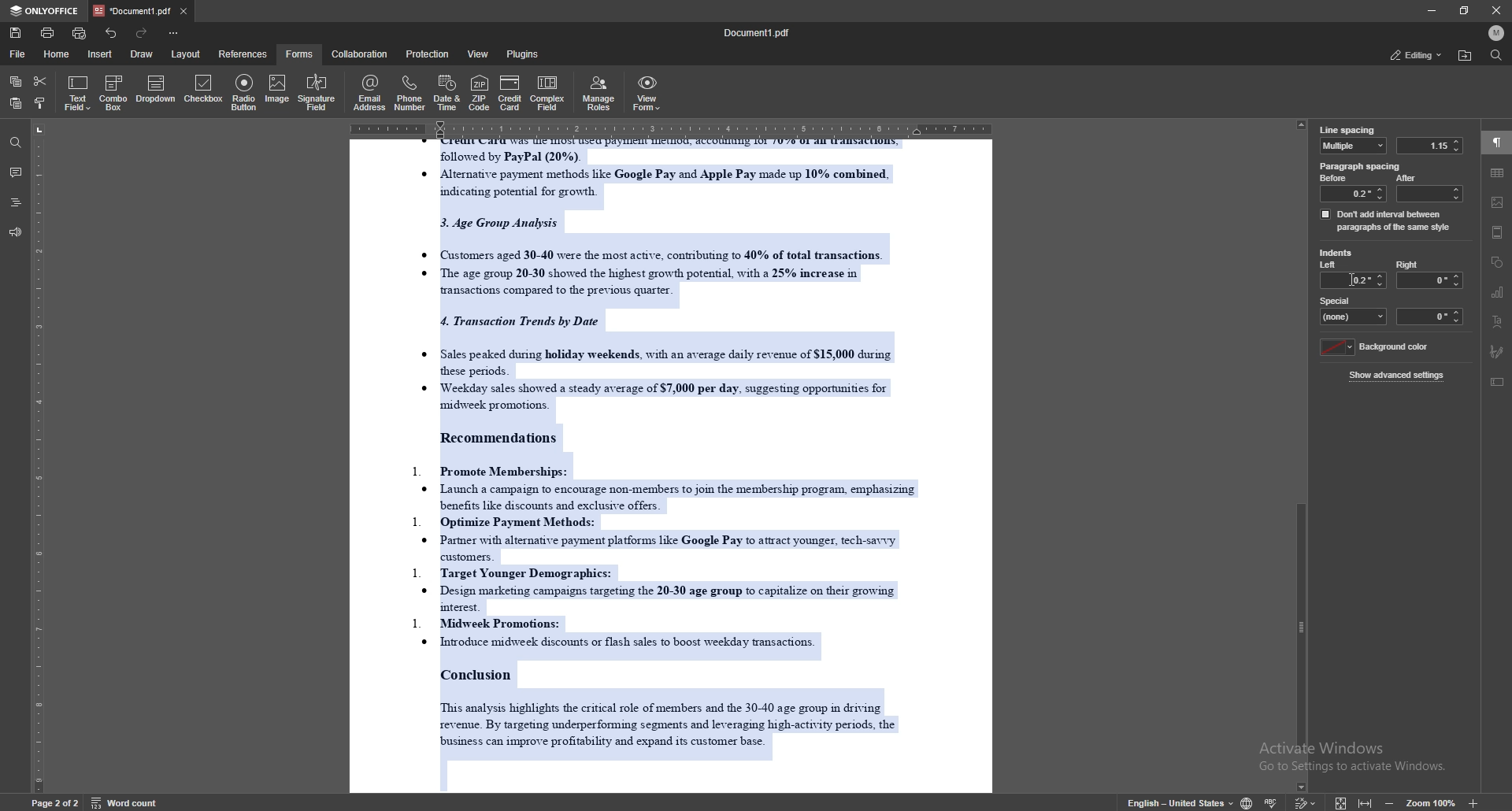  Describe the element at coordinates (1428, 187) in the screenshot. I see `after` at that location.